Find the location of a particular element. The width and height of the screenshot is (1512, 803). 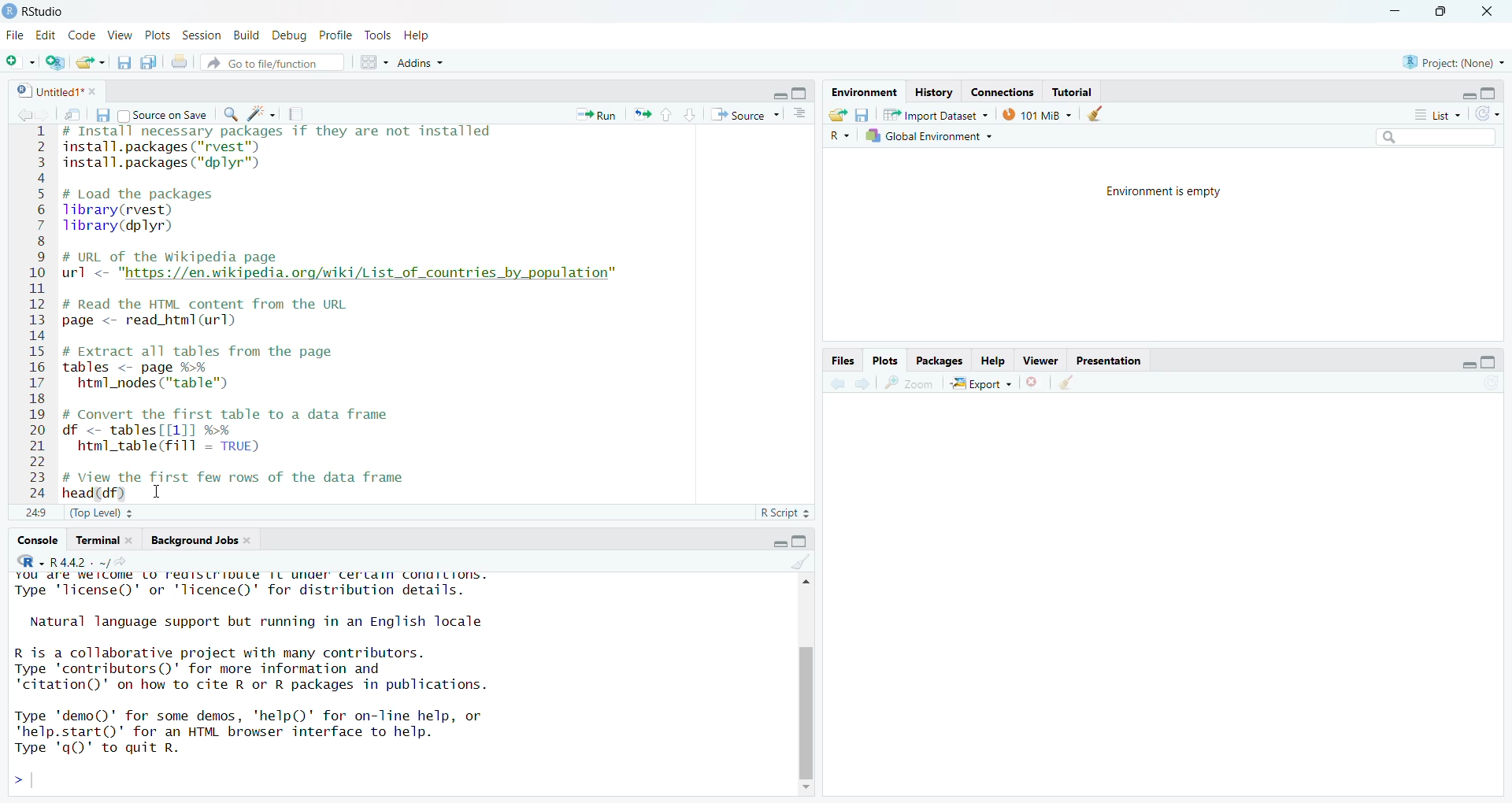

# Convert the first table to a data frame df <- tables[[1]] %>% htm1_table(fill = TRUE) is located at coordinates (249, 433).